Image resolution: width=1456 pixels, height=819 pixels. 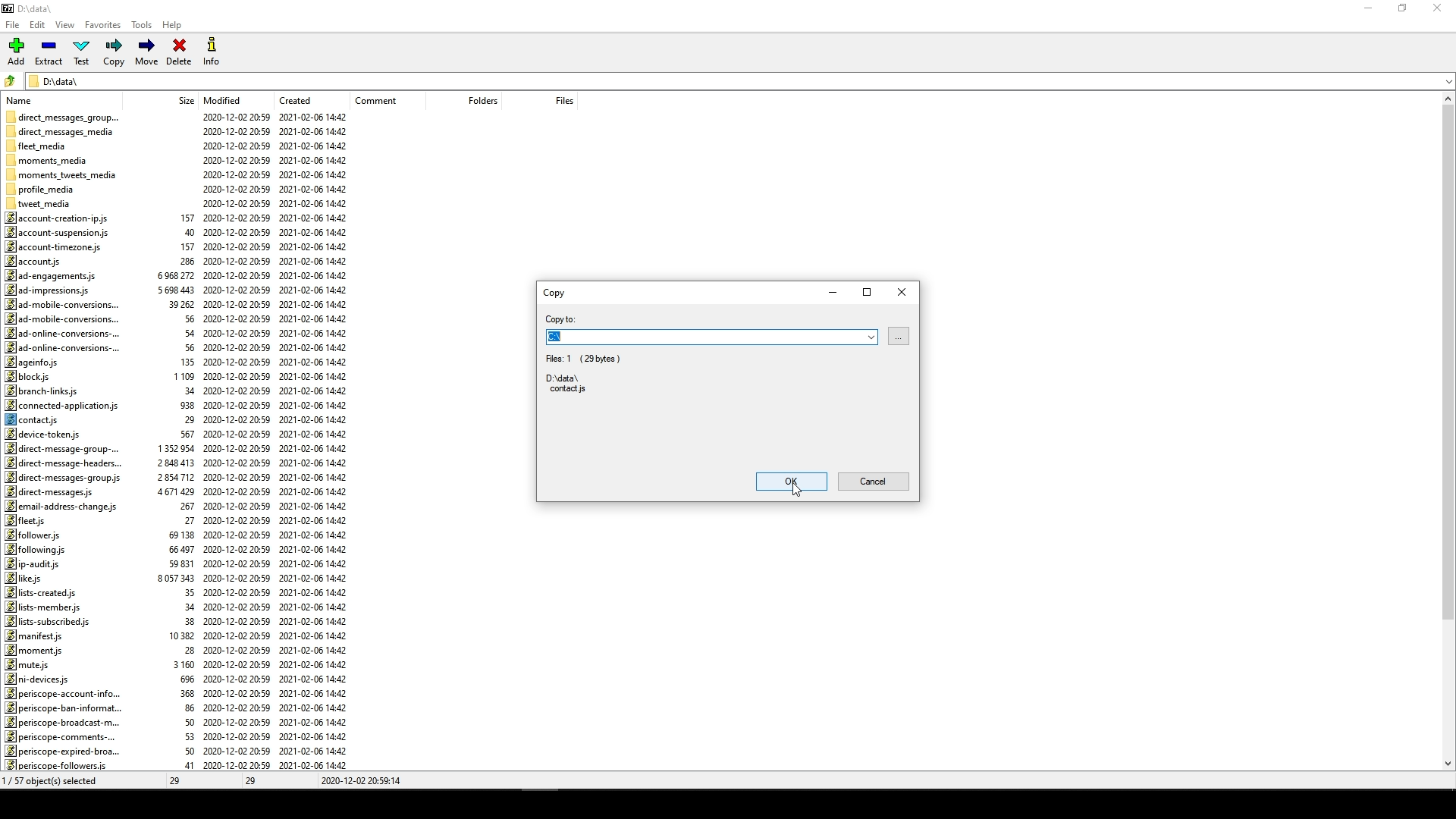 I want to click on email-address-change.js, so click(x=62, y=507).